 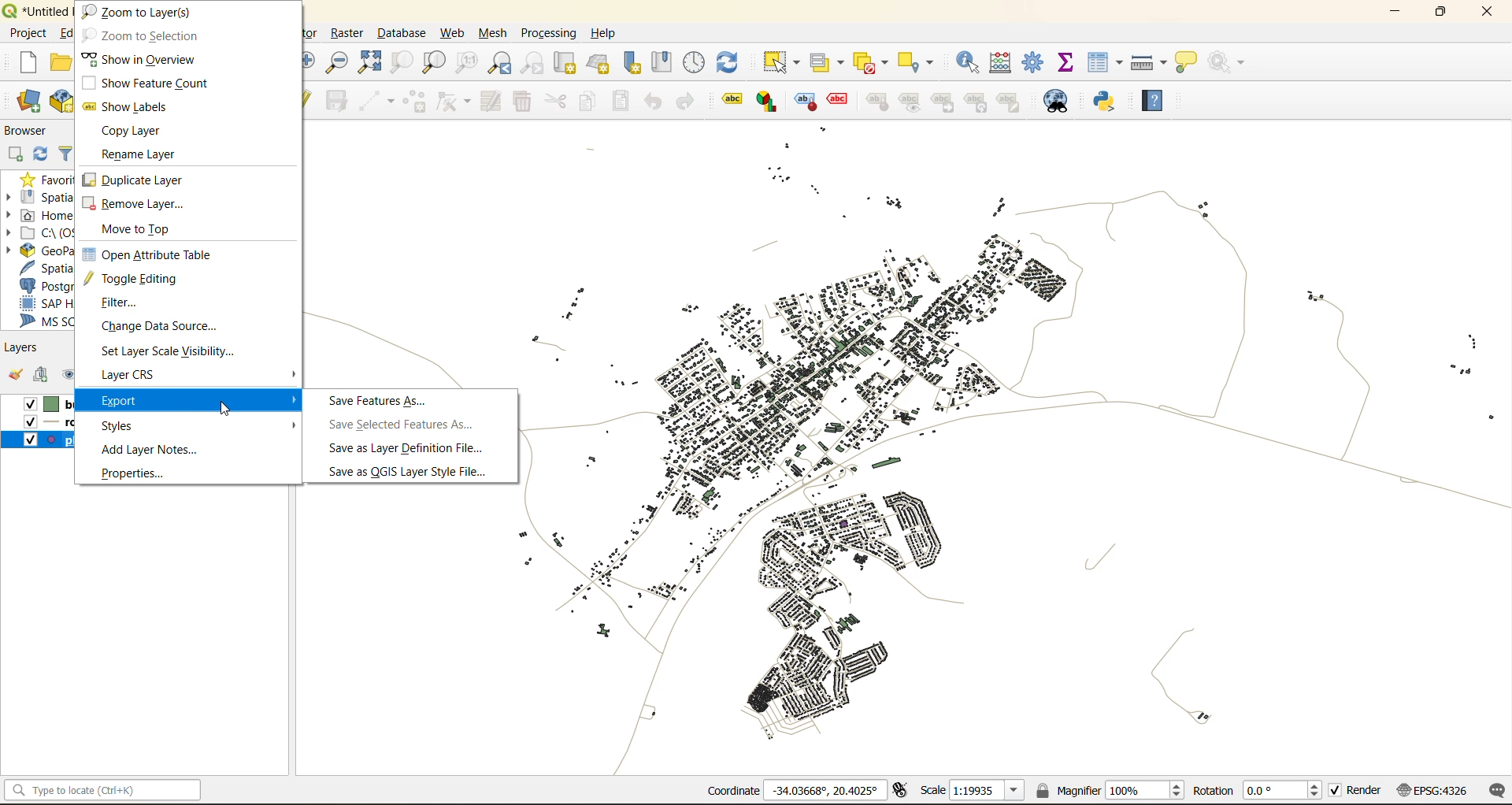 What do you see at coordinates (981, 103) in the screenshot?
I see `rotate a label` at bounding box center [981, 103].